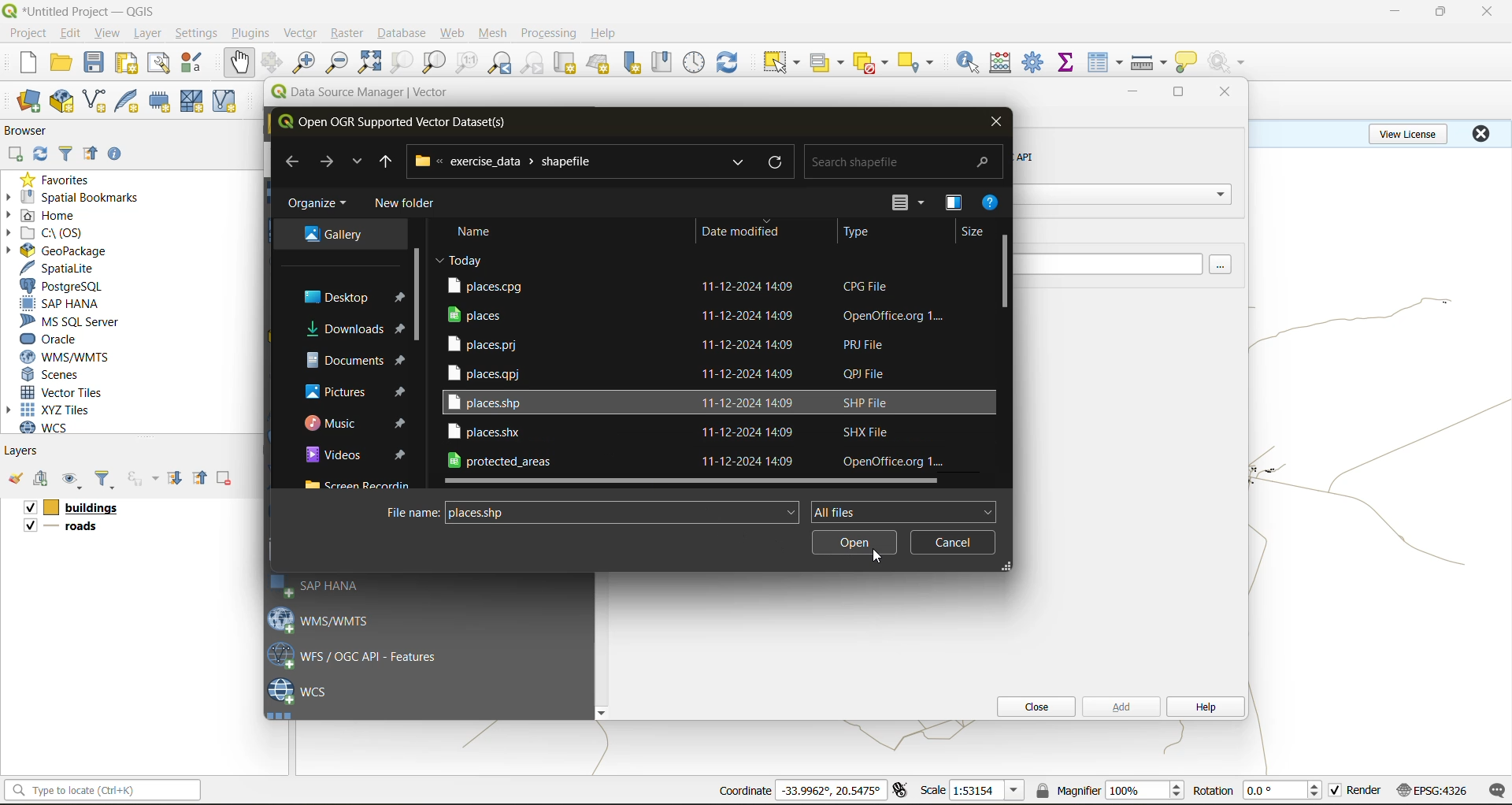 The image size is (1512, 805). I want to click on new, so click(26, 62).